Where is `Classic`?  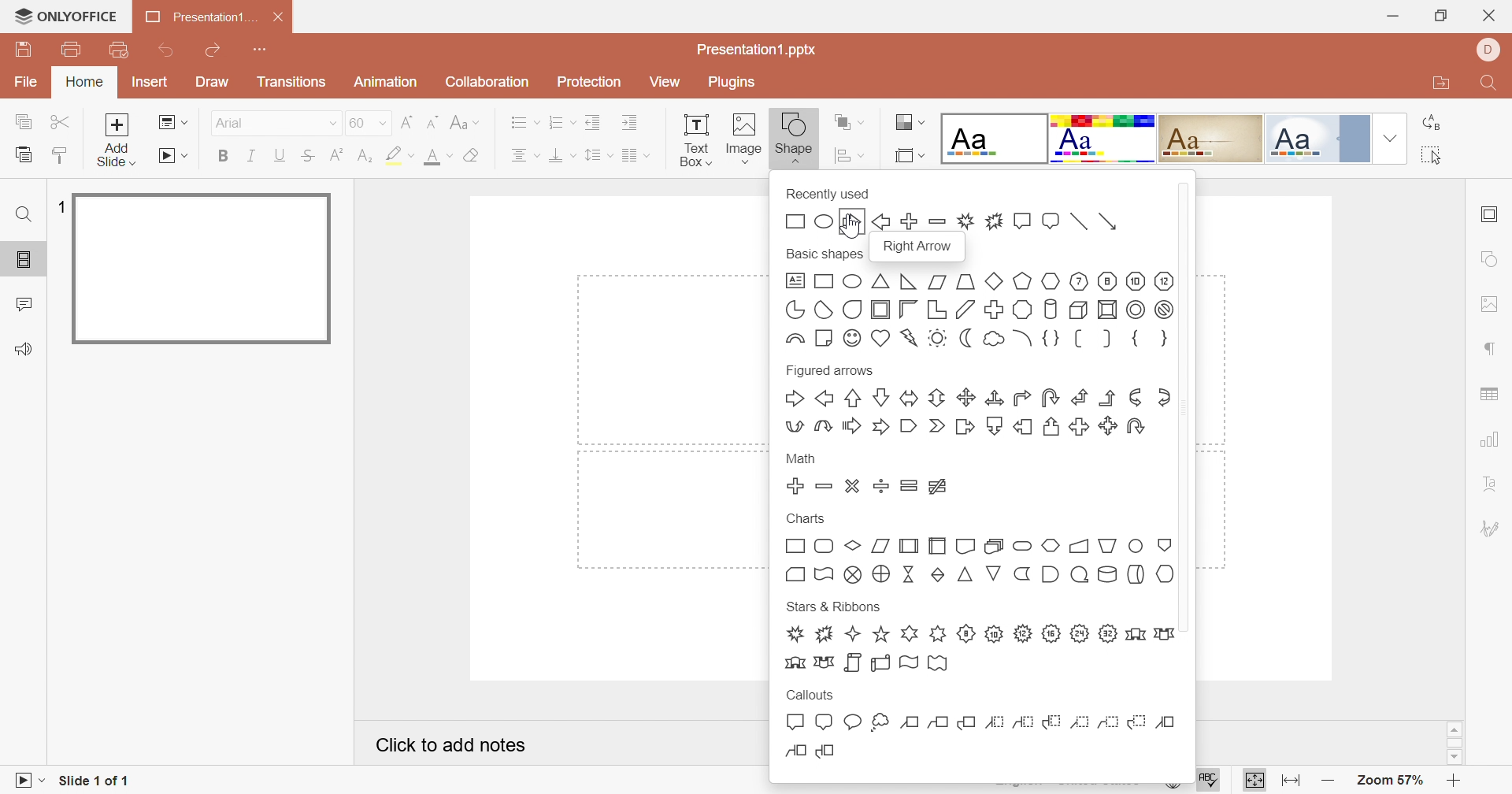 Classic is located at coordinates (1210, 138).